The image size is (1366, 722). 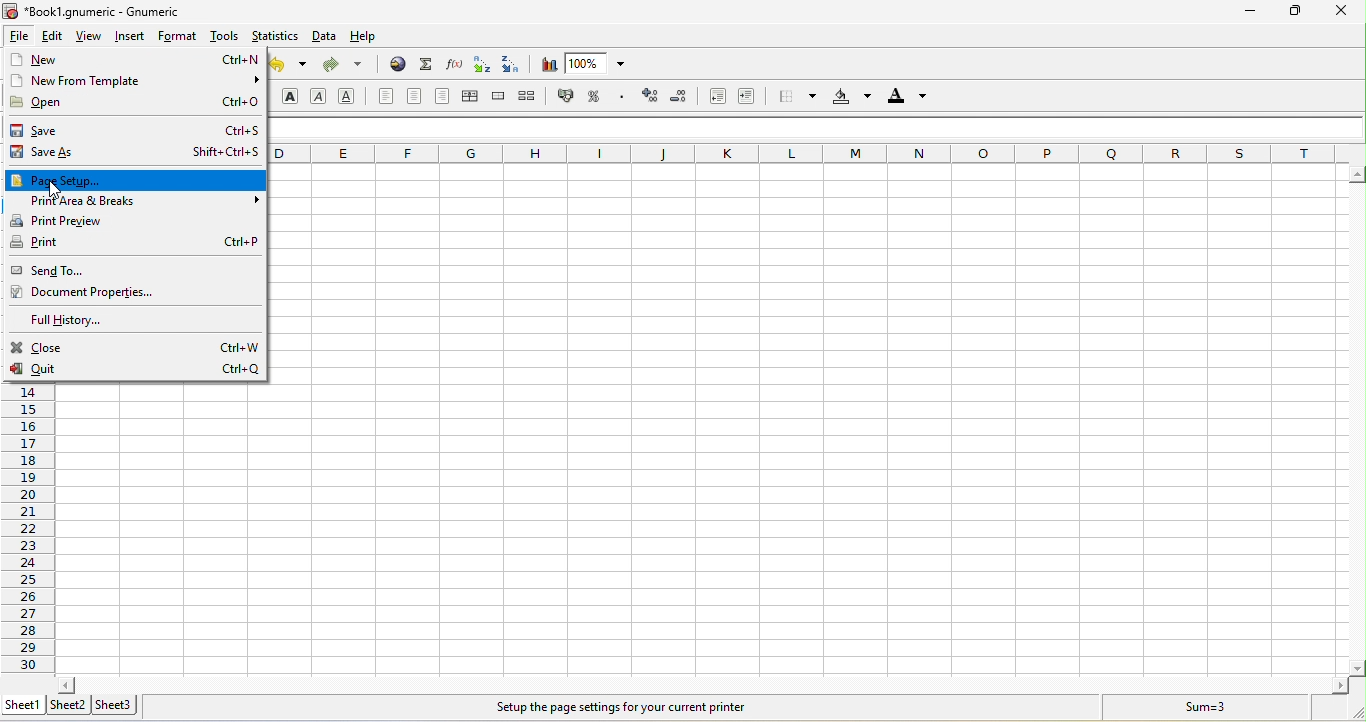 What do you see at coordinates (135, 244) in the screenshot?
I see `print` at bounding box center [135, 244].